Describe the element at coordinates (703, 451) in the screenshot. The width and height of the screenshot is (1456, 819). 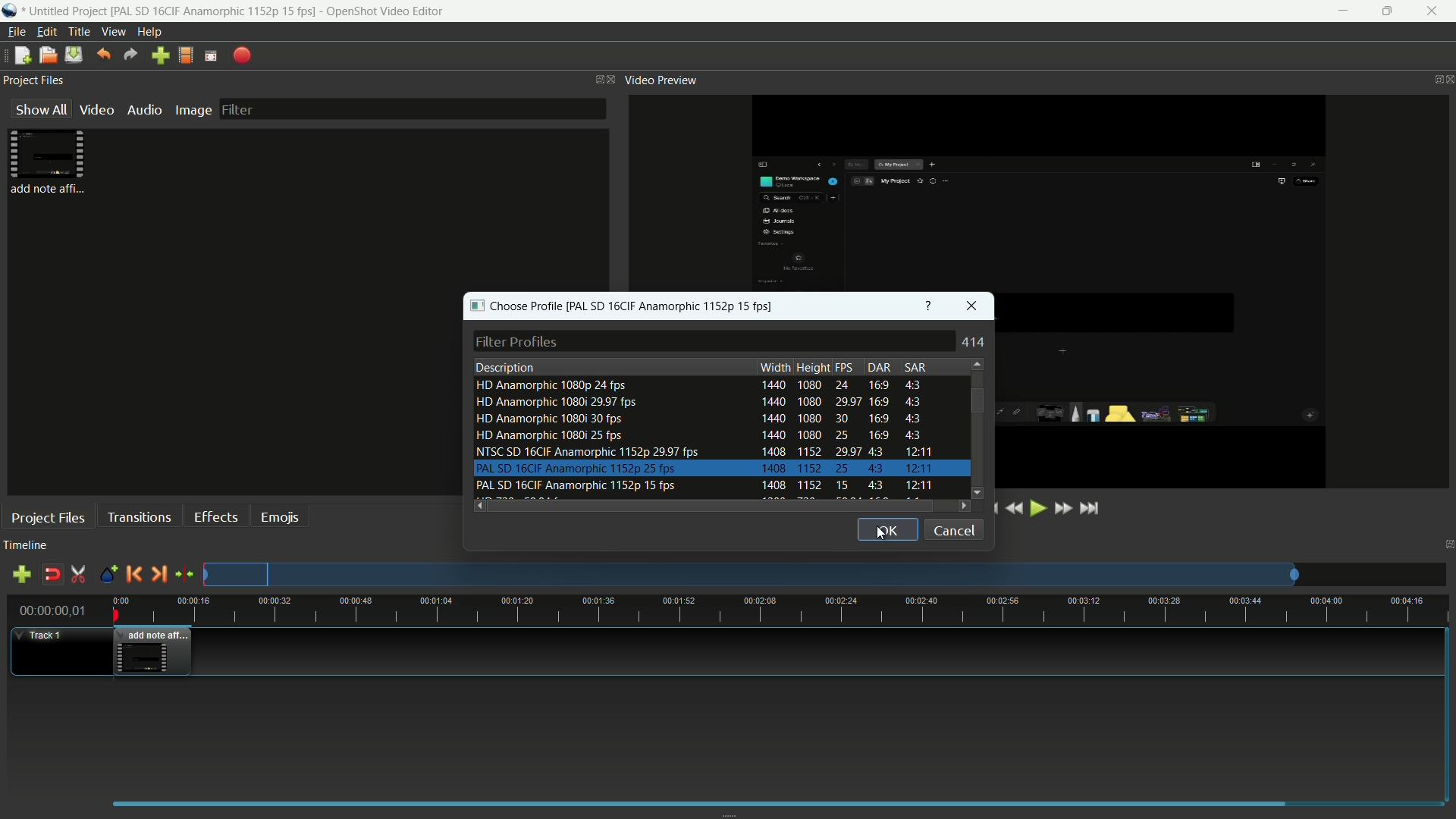
I see `profile-5` at that location.